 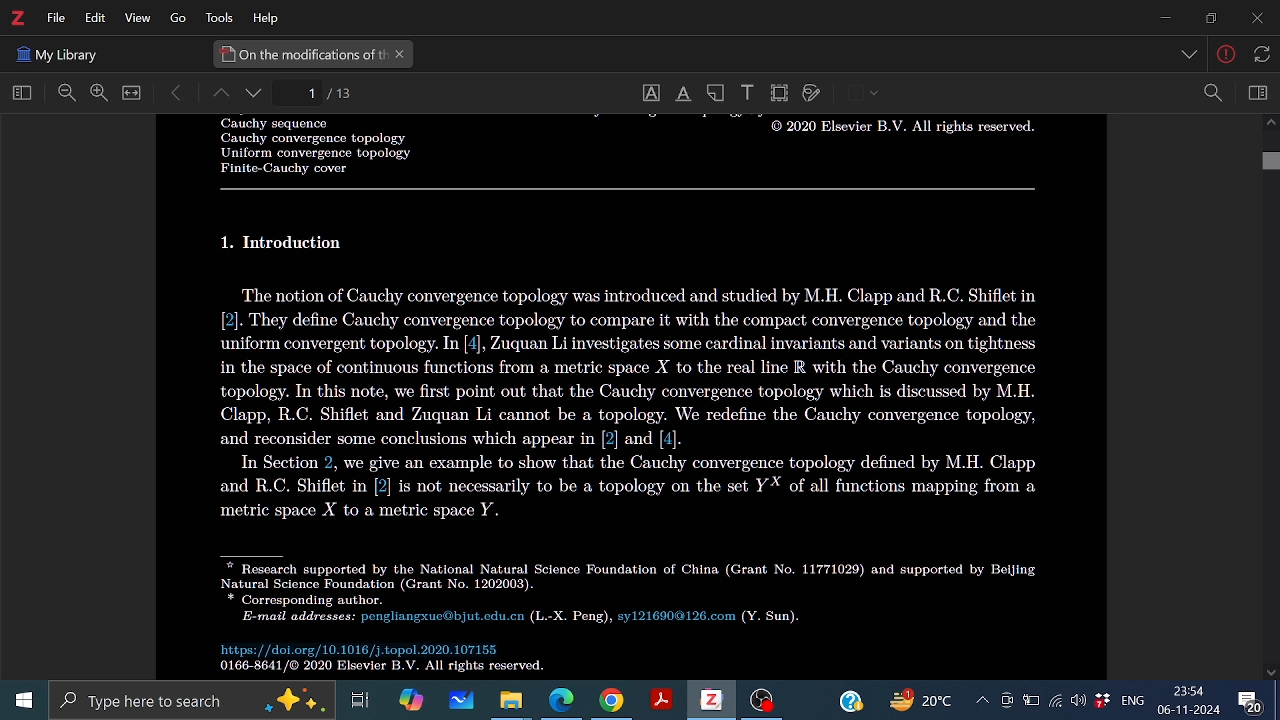 I want to click on Microsoft edge, so click(x=562, y=701).